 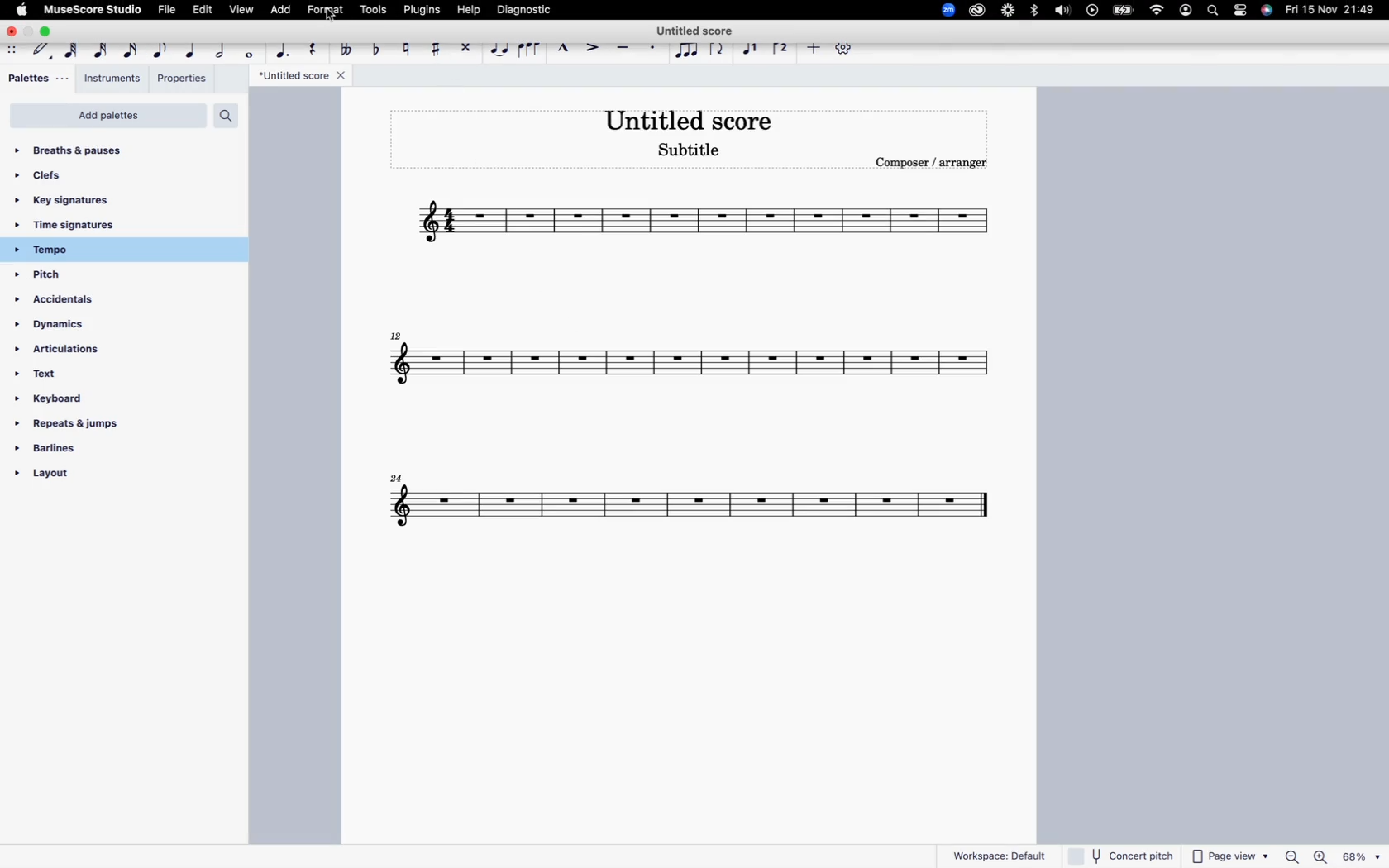 What do you see at coordinates (283, 11) in the screenshot?
I see `add` at bounding box center [283, 11].